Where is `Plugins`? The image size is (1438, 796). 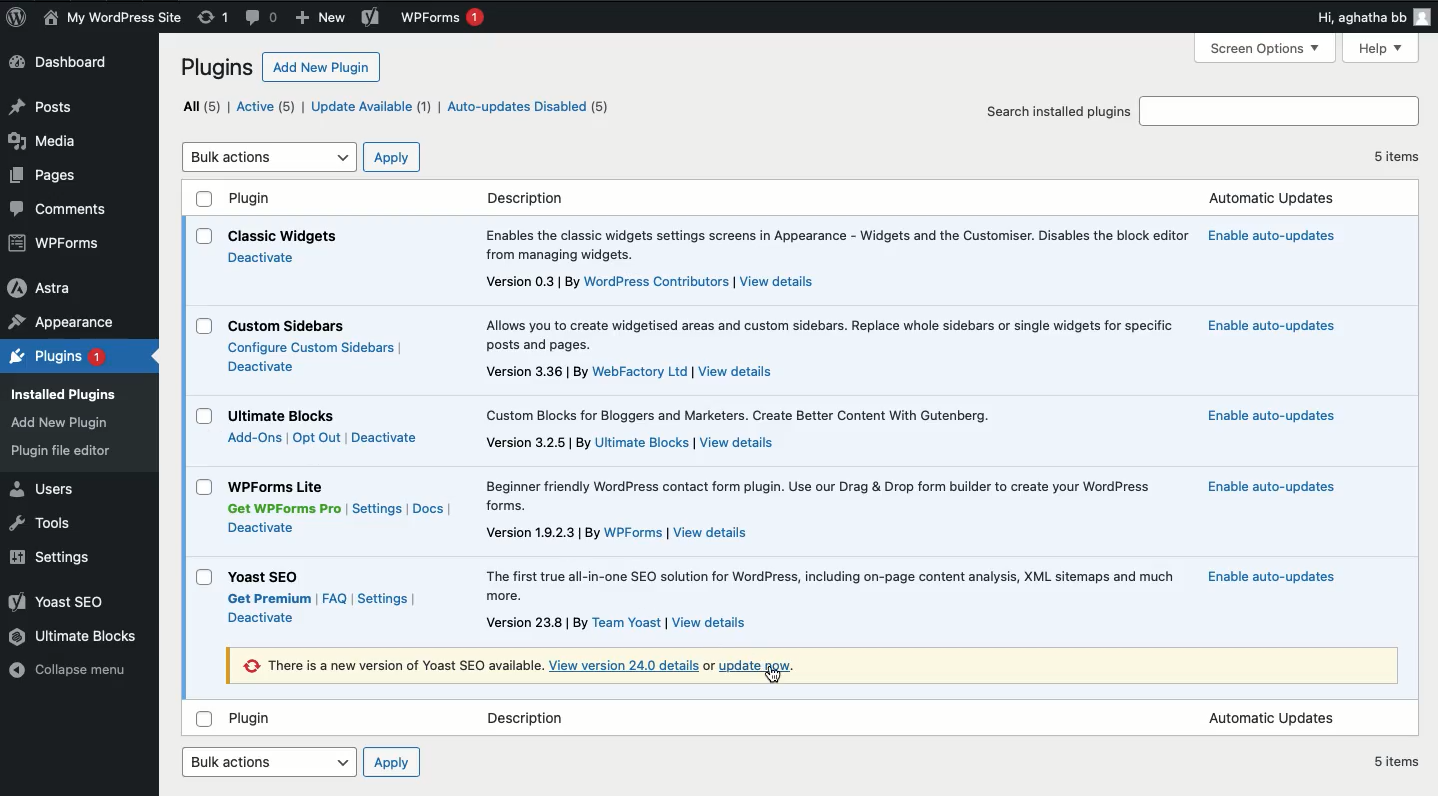 Plugins is located at coordinates (63, 450).